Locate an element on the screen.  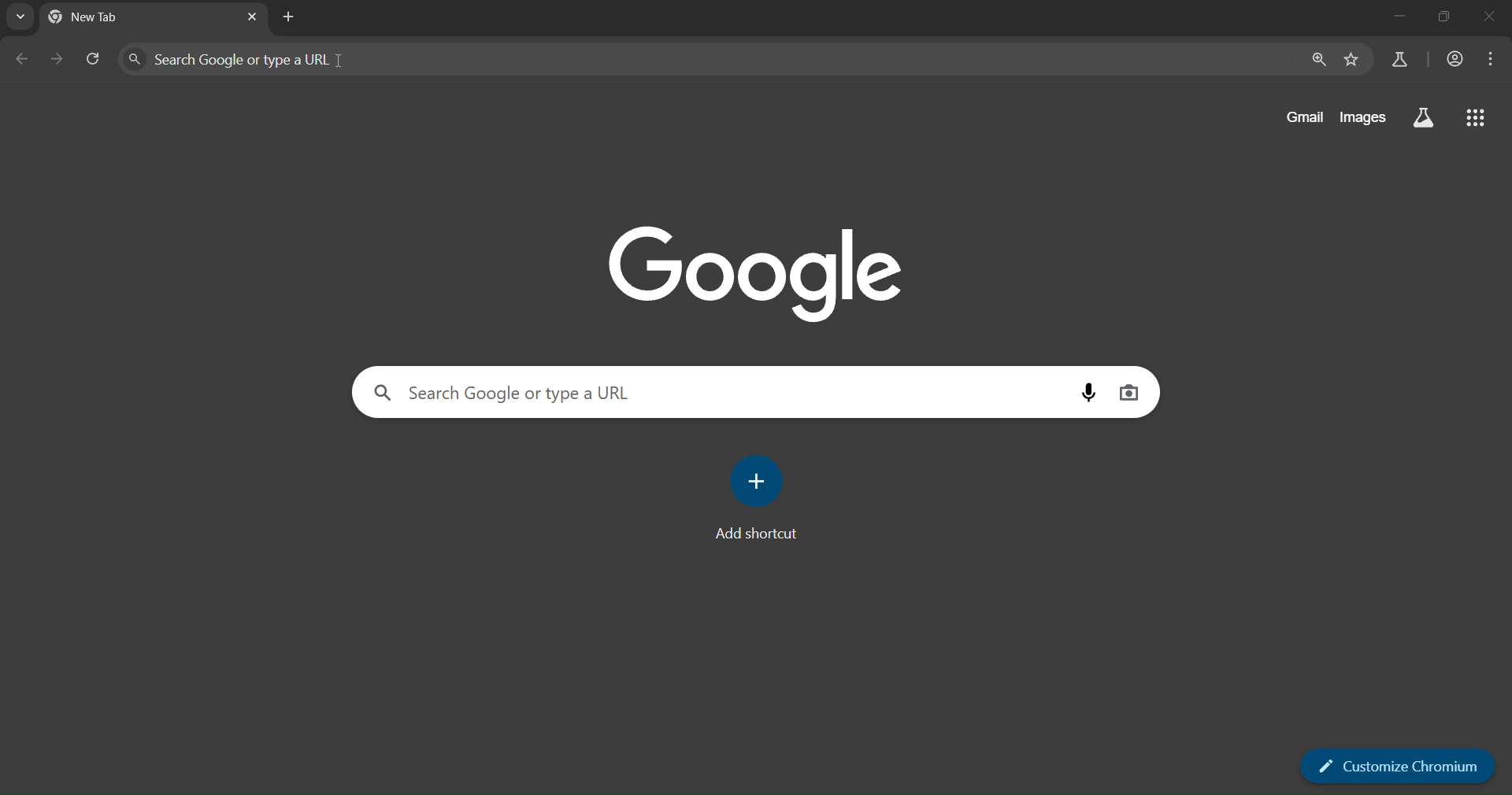
Search Google or type a URL is located at coordinates (246, 59).